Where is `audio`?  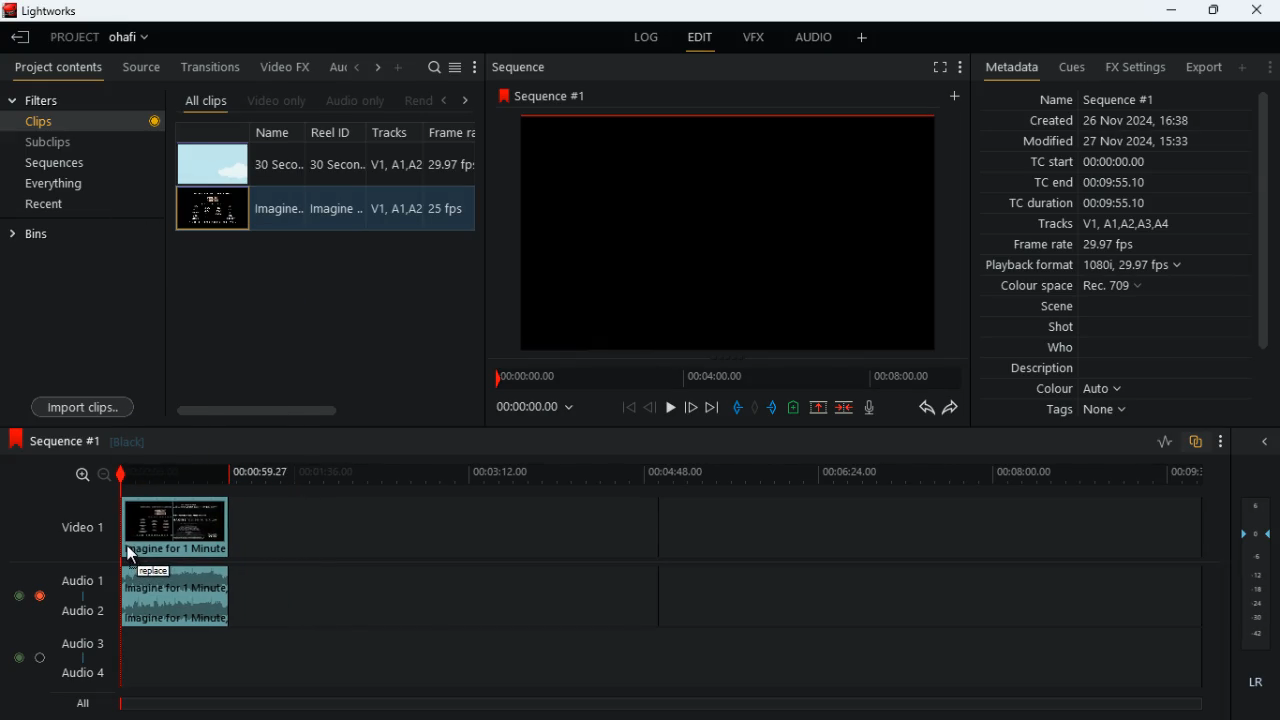
audio is located at coordinates (814, 40).